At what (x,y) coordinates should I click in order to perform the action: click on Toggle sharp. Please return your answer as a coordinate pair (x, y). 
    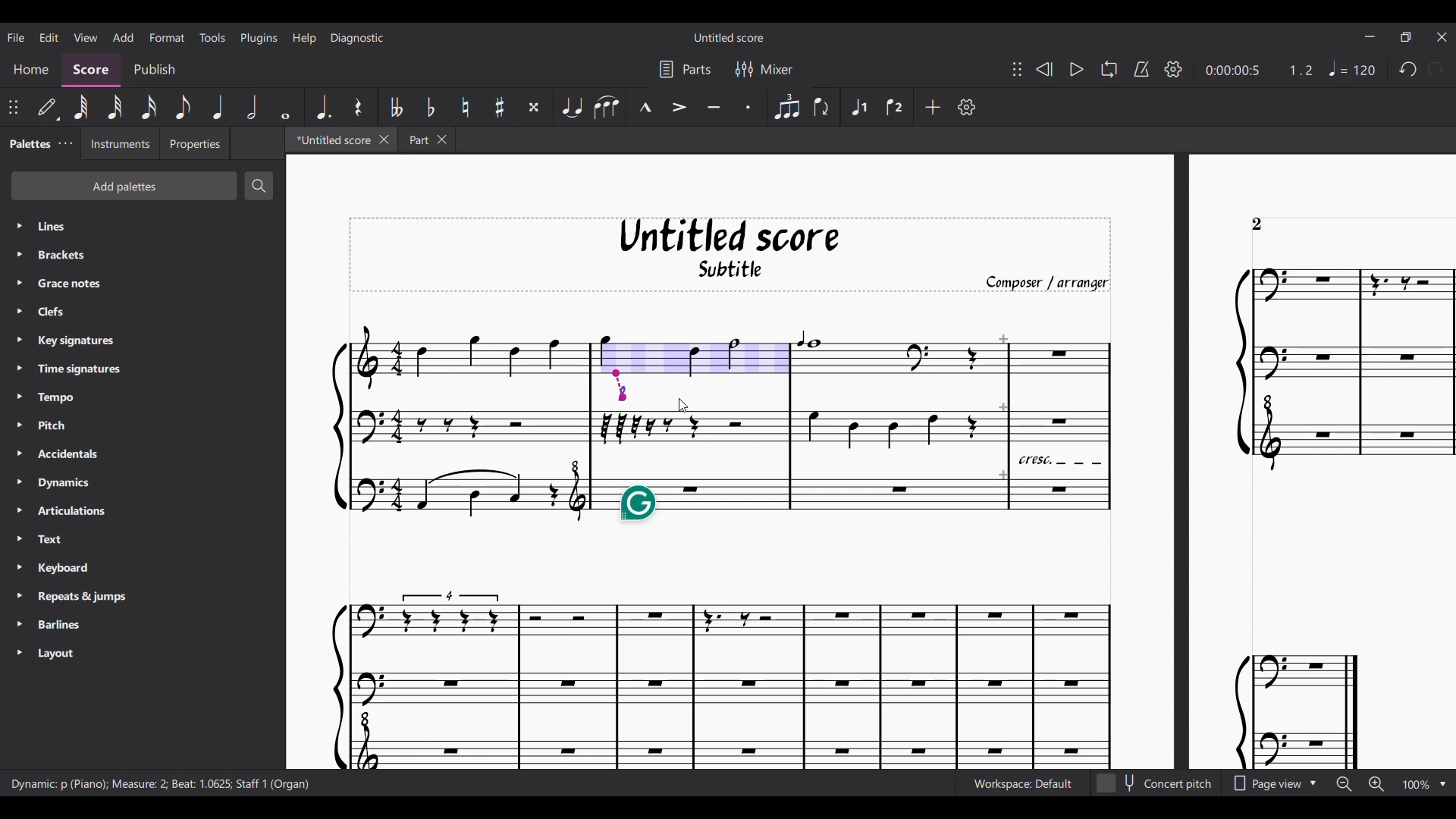
    Looking at the image, I should click on (500, 107).